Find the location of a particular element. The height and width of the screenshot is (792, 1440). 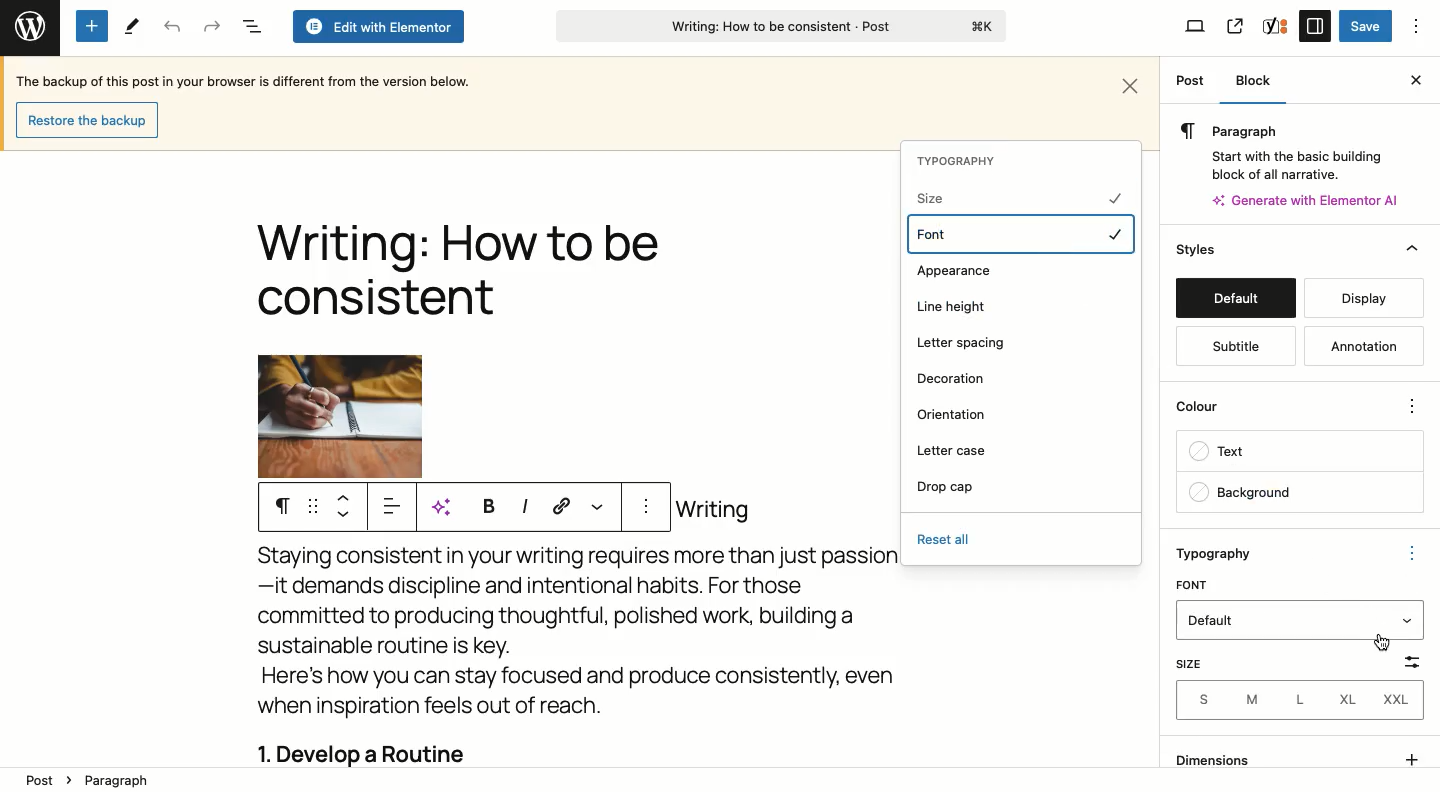

Paragraph is located at coordinates (128, 781).